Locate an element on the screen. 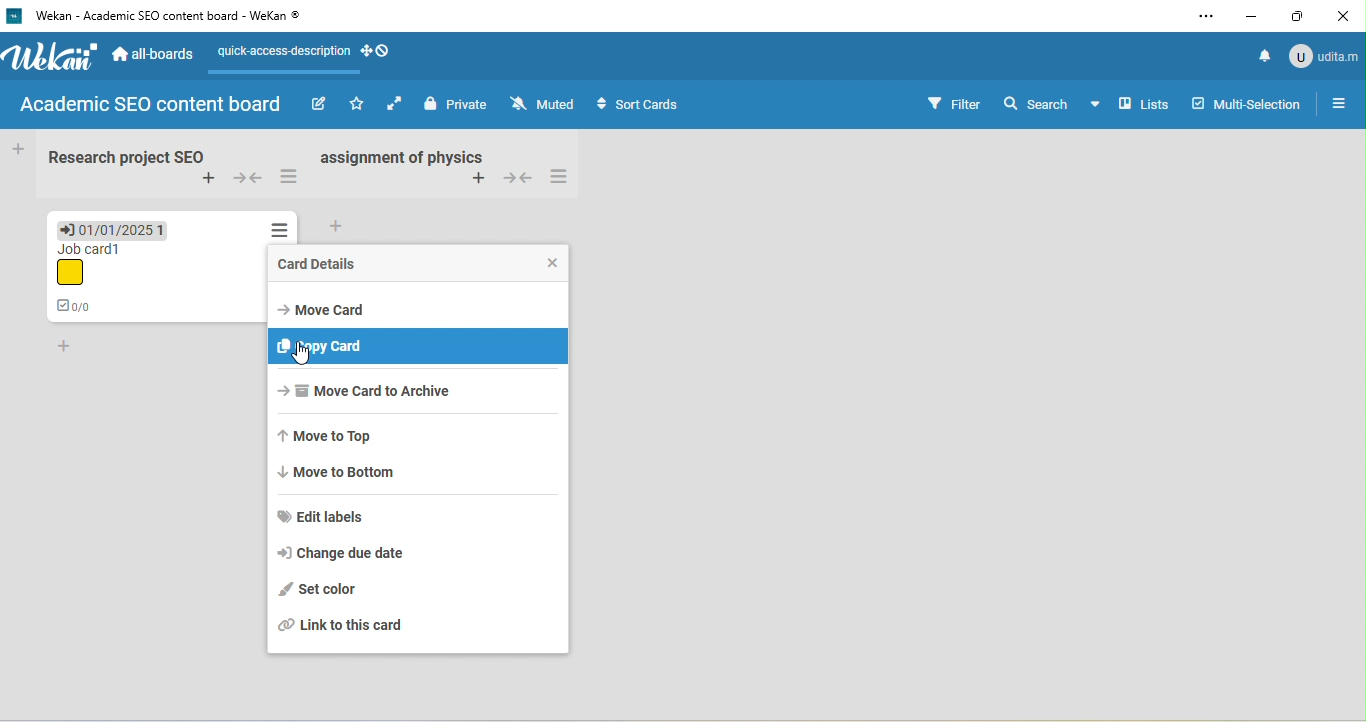  move to top is located at coordinates (334, 439).